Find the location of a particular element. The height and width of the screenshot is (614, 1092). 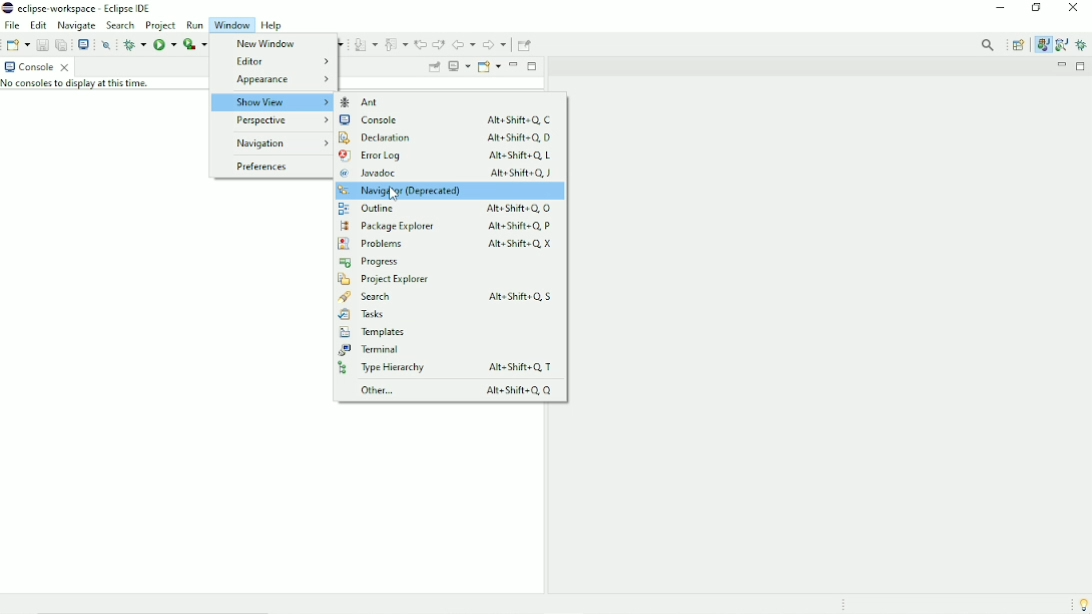

Run is located at coordinates (194, 25).